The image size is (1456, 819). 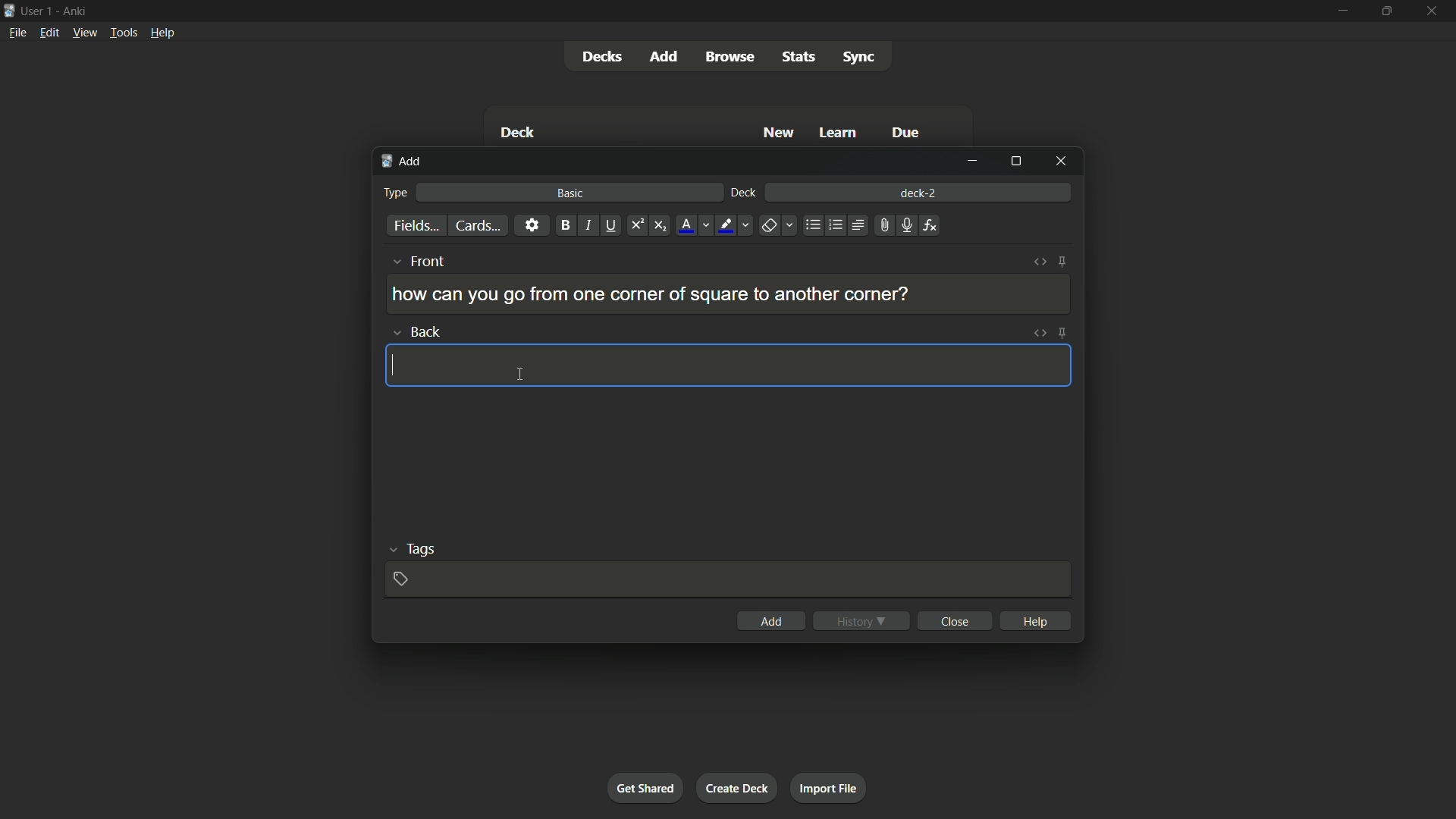 What do you see at coordinates (662, 56) in the screenshot?
I see `add` at bounding box center [662, 56].